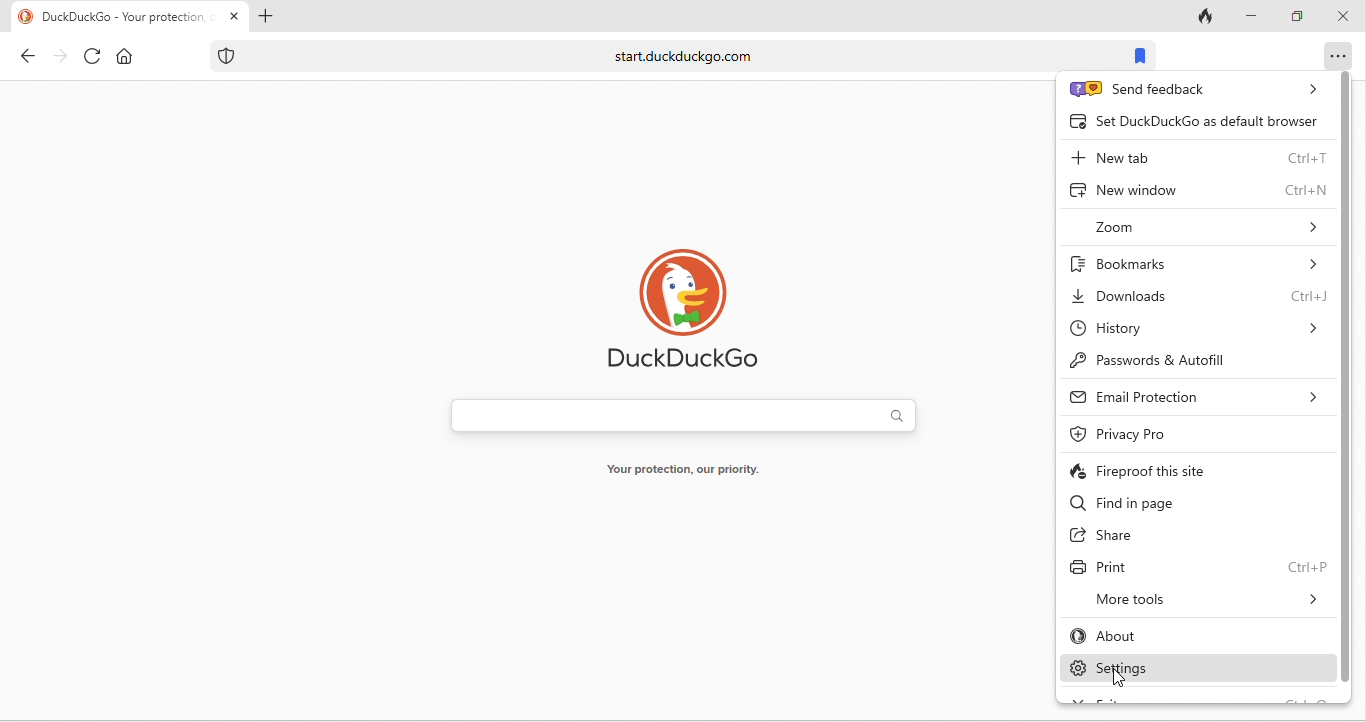 This screenshot has height=722, width=1366. Describe the element at coordinates (1197, 193) in the screenshot. I see `new window` at that location.